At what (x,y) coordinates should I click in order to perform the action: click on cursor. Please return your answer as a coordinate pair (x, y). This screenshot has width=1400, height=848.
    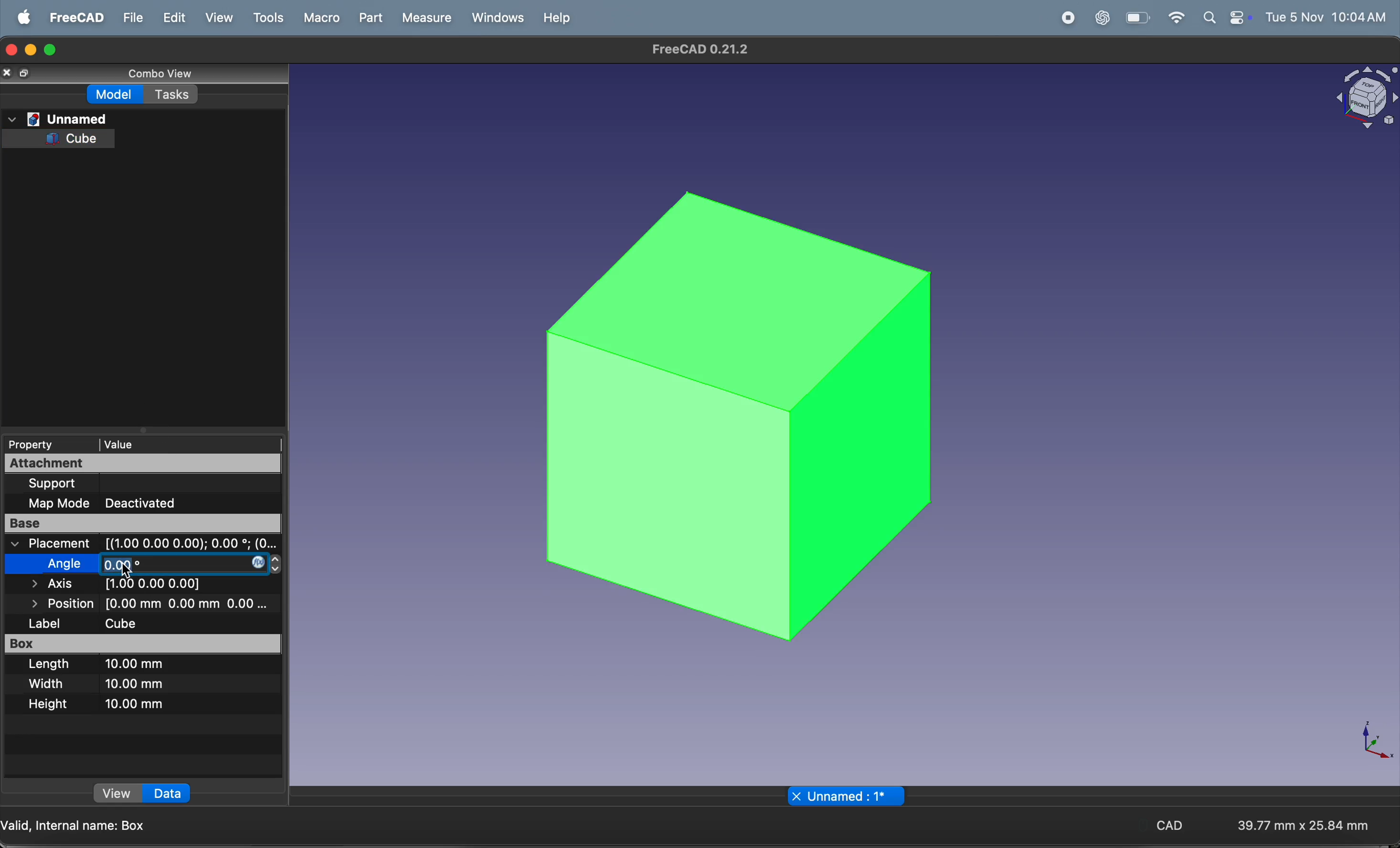
    Looking at the image, I should click on (122, 573).